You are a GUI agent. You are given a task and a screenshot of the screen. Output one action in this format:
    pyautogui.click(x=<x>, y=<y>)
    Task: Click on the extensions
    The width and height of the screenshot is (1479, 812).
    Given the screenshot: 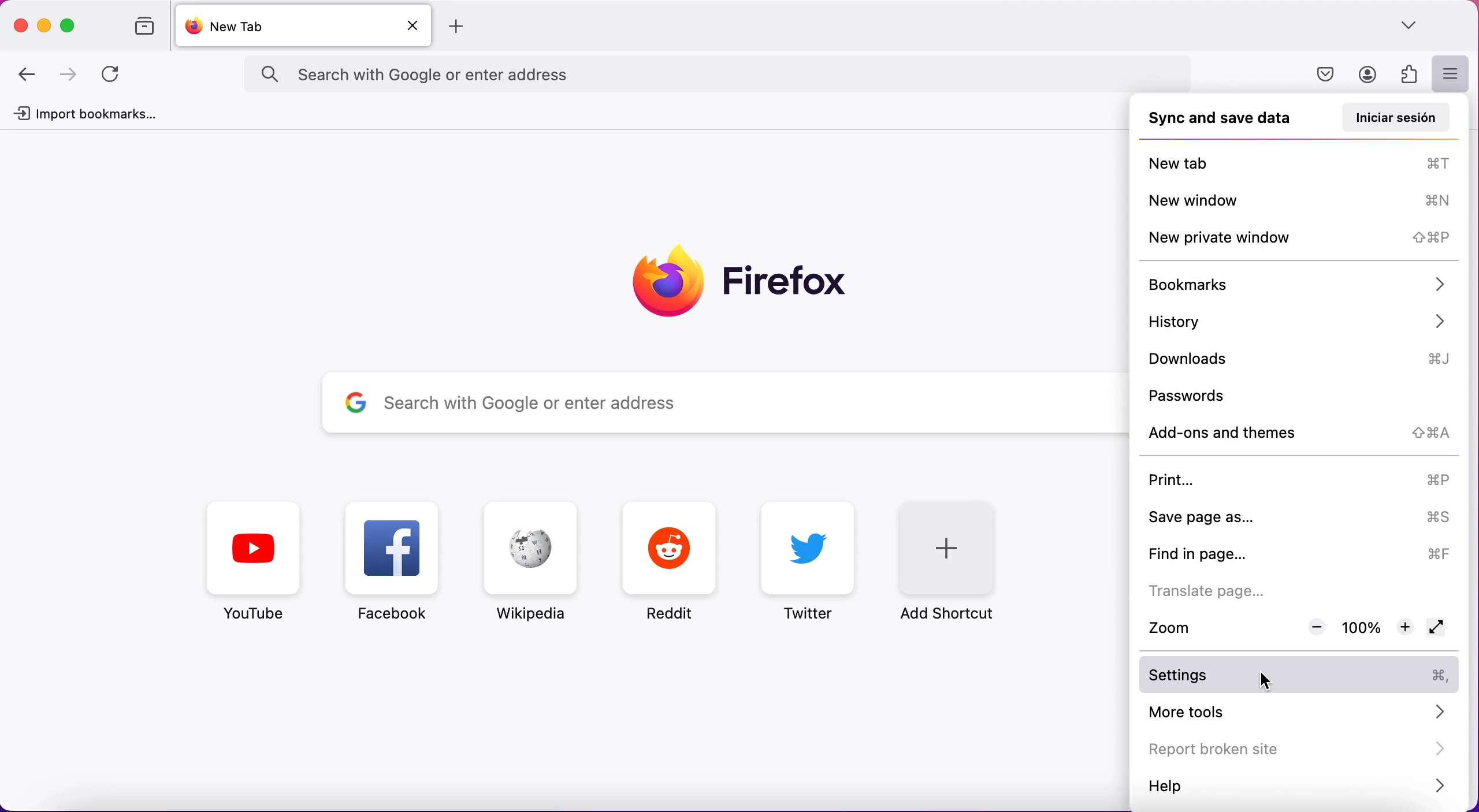 What is the action you would take?
    pyautogui.click(x=1406, y=74)
    